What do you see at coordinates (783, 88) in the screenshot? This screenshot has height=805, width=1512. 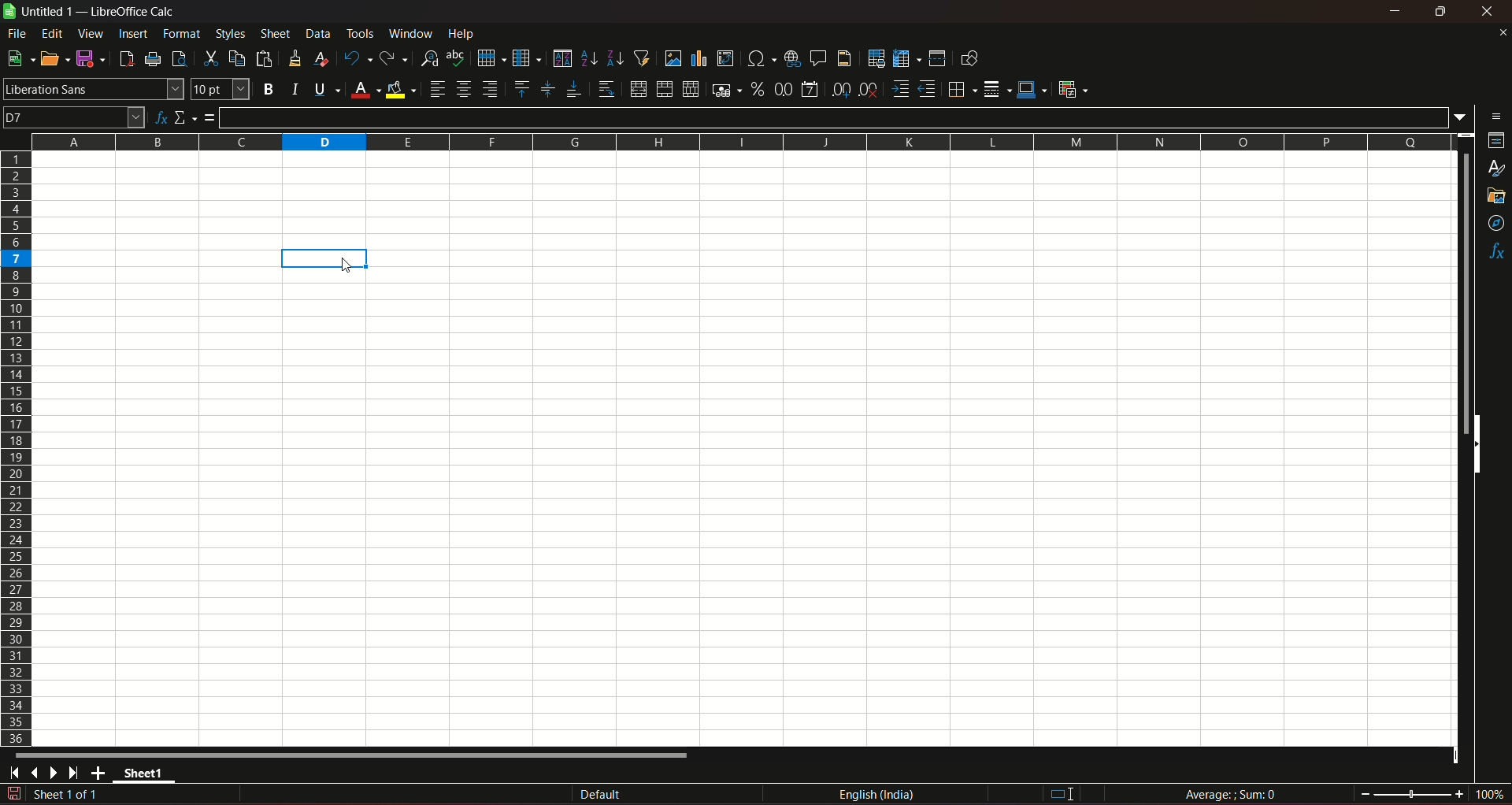 I see `format as number` at bounding box center [783, 88].